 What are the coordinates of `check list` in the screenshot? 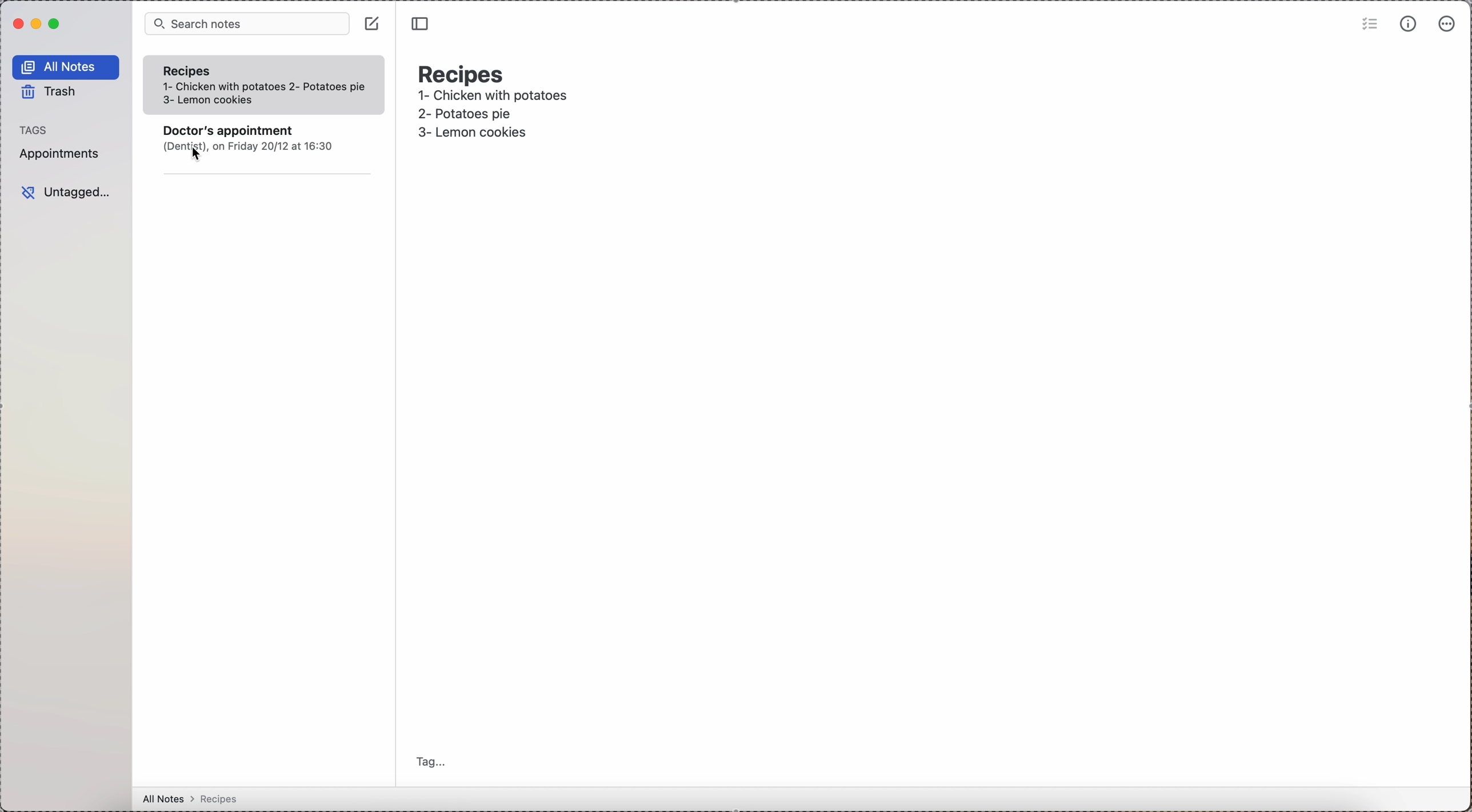 It's located at (1368, 26).